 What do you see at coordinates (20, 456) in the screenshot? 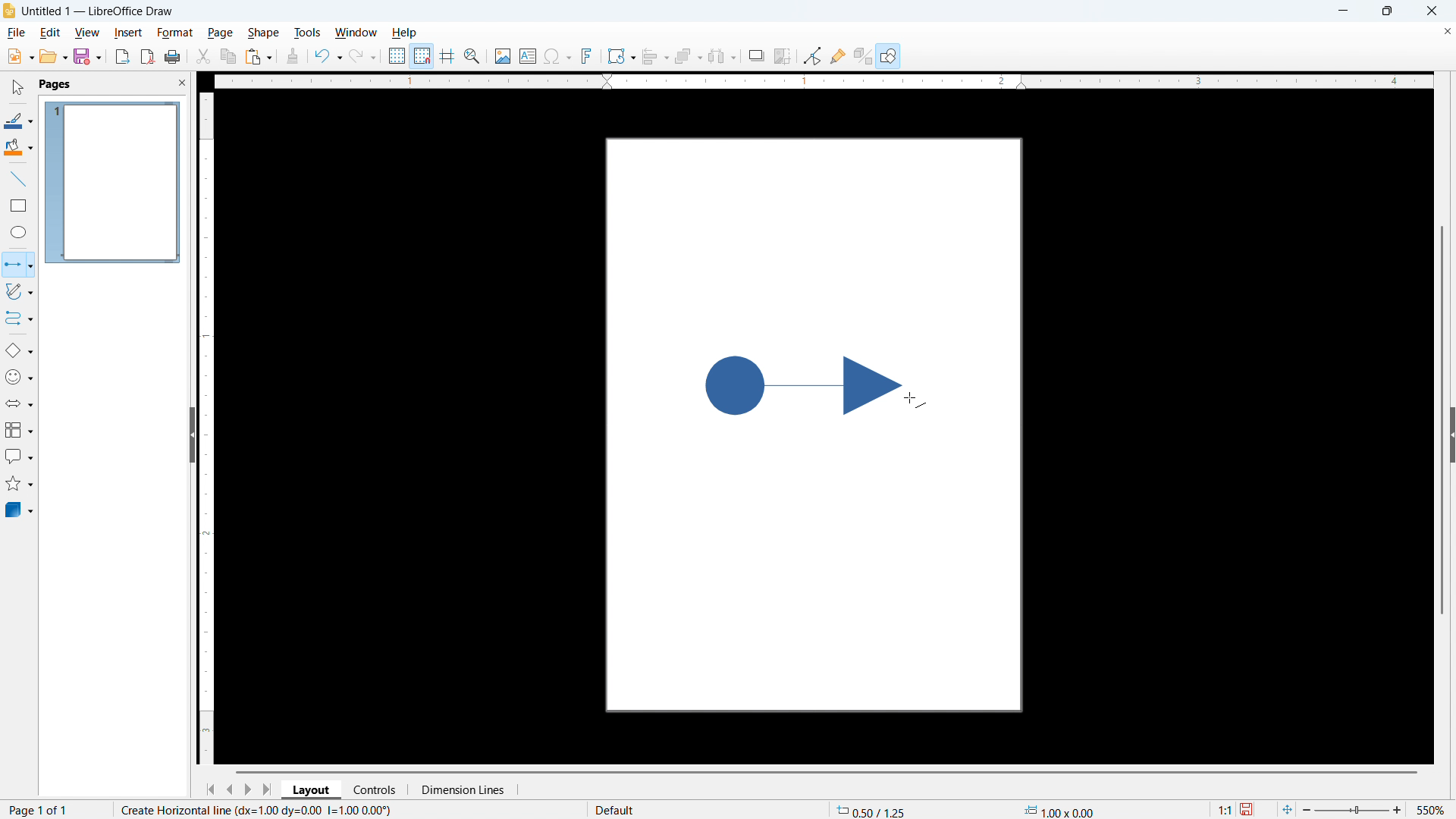
I see `Insert call out shapes ` at bounding box center [20, 456].